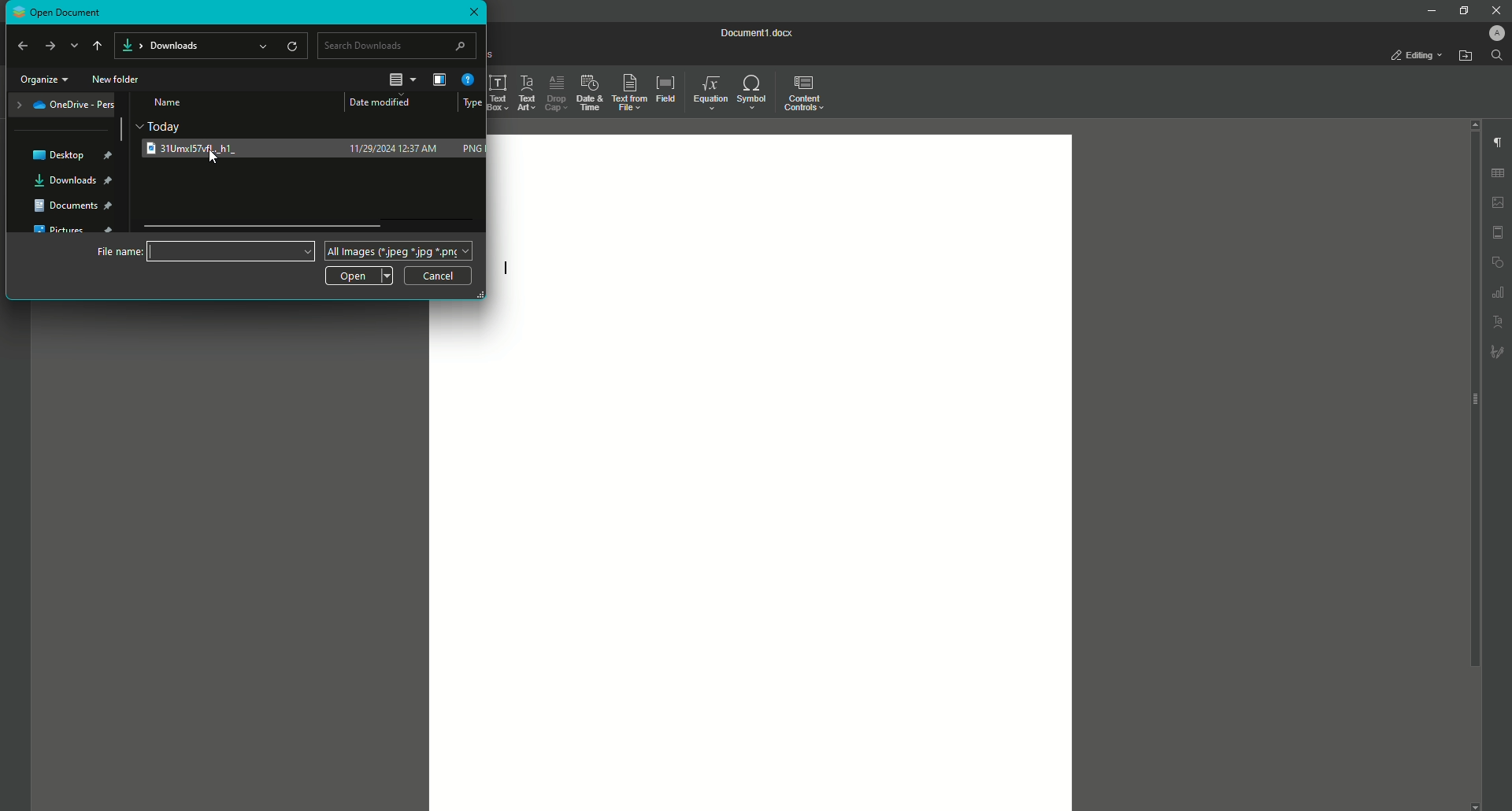 Image resolution: width=1512 pixels, height=811 pixels. I want to click on File name, so click(204, 250).